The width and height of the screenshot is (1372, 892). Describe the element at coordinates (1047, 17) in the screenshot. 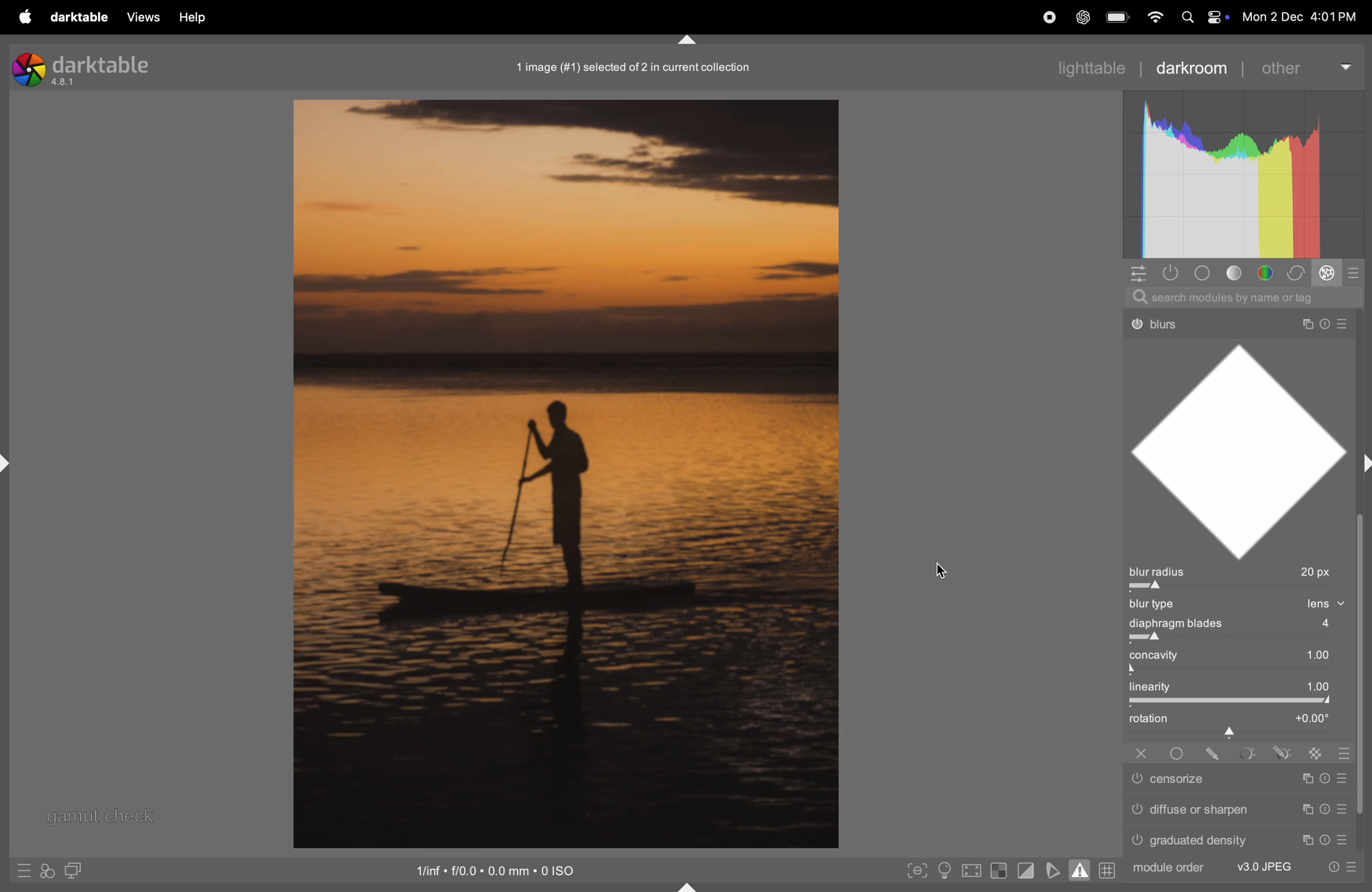

I see `record` at that location.